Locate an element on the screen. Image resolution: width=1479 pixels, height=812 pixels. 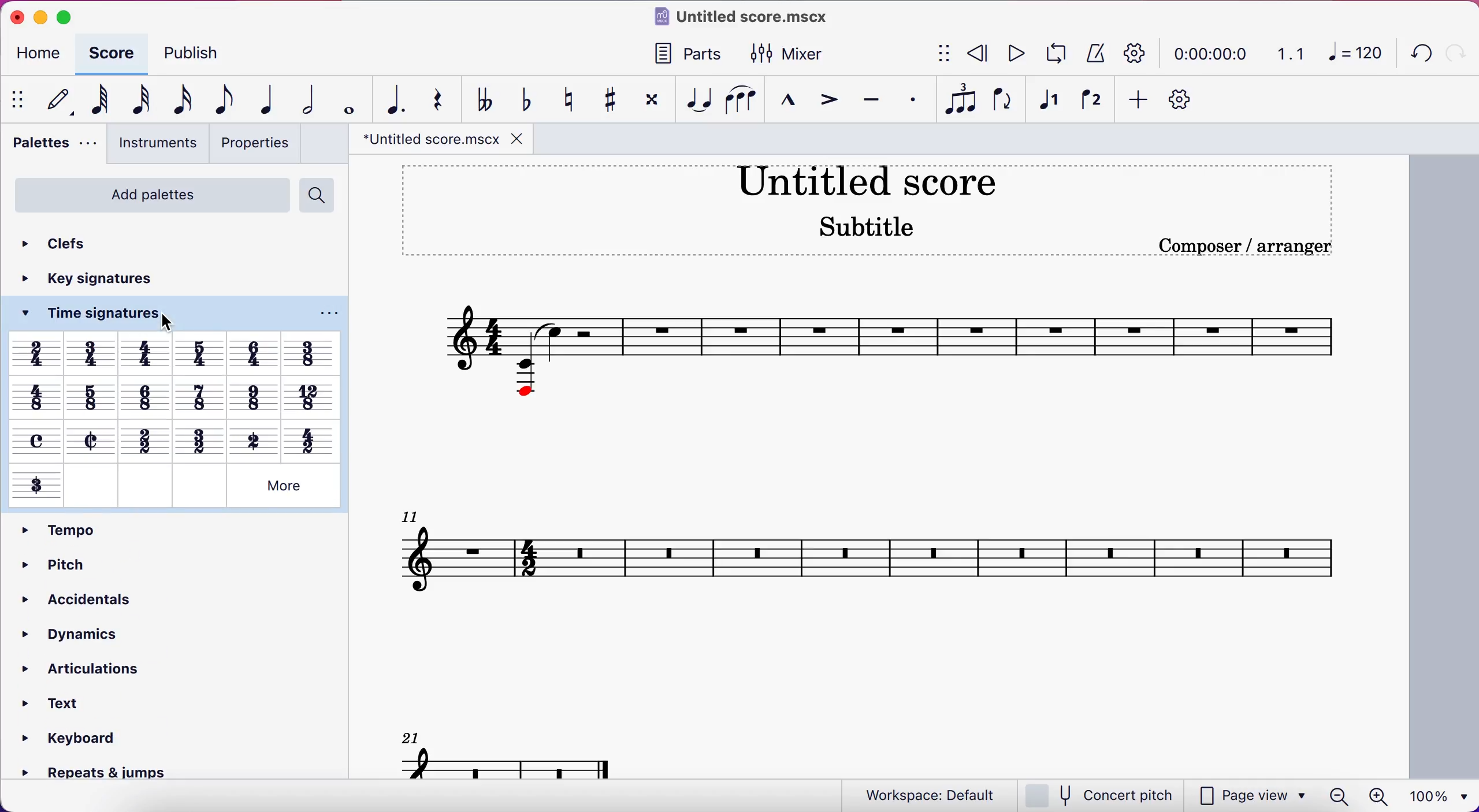
palettes is located at coordinates (51, 146).